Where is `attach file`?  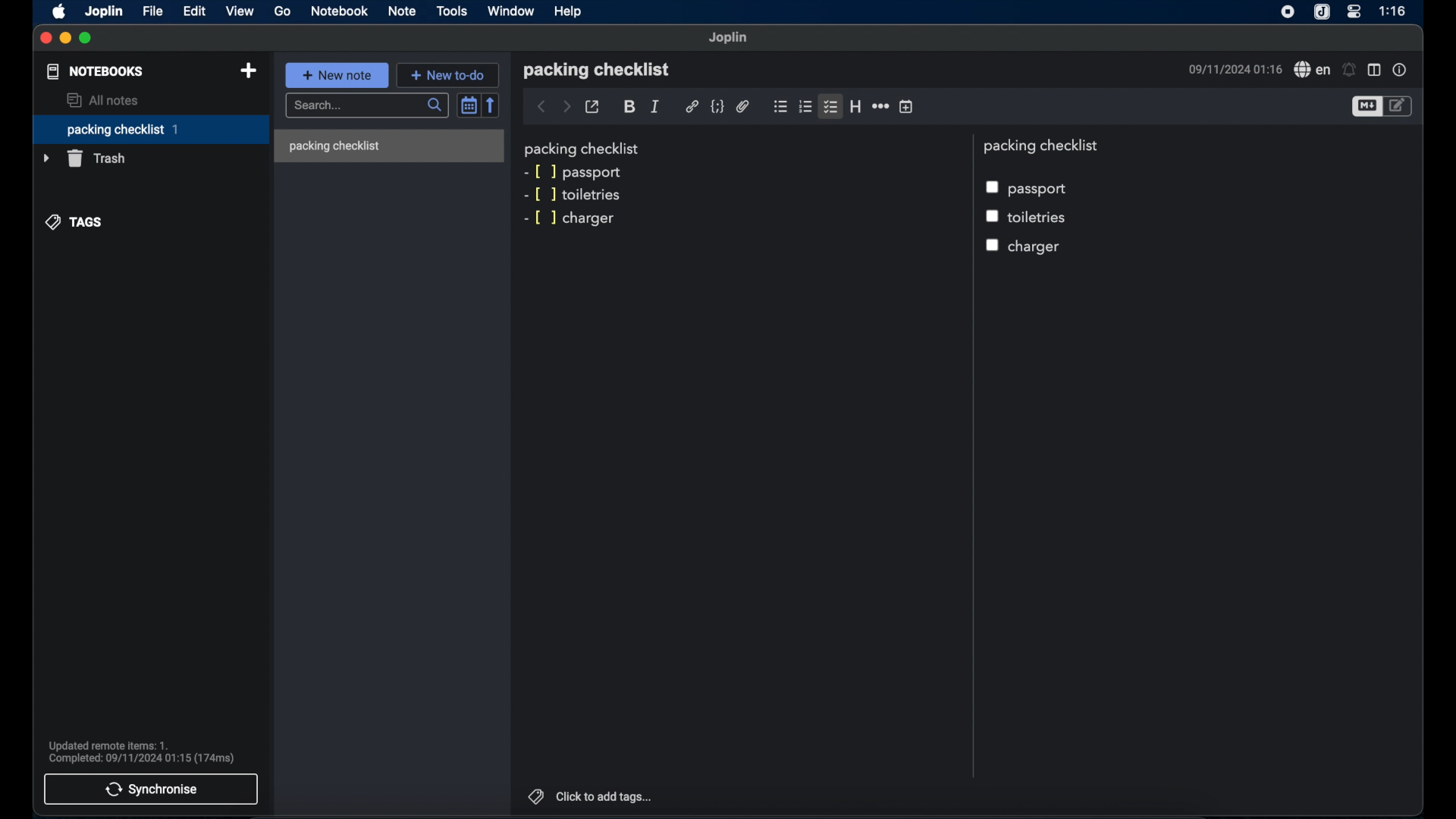 attach file is located at coordinates (742, 106).